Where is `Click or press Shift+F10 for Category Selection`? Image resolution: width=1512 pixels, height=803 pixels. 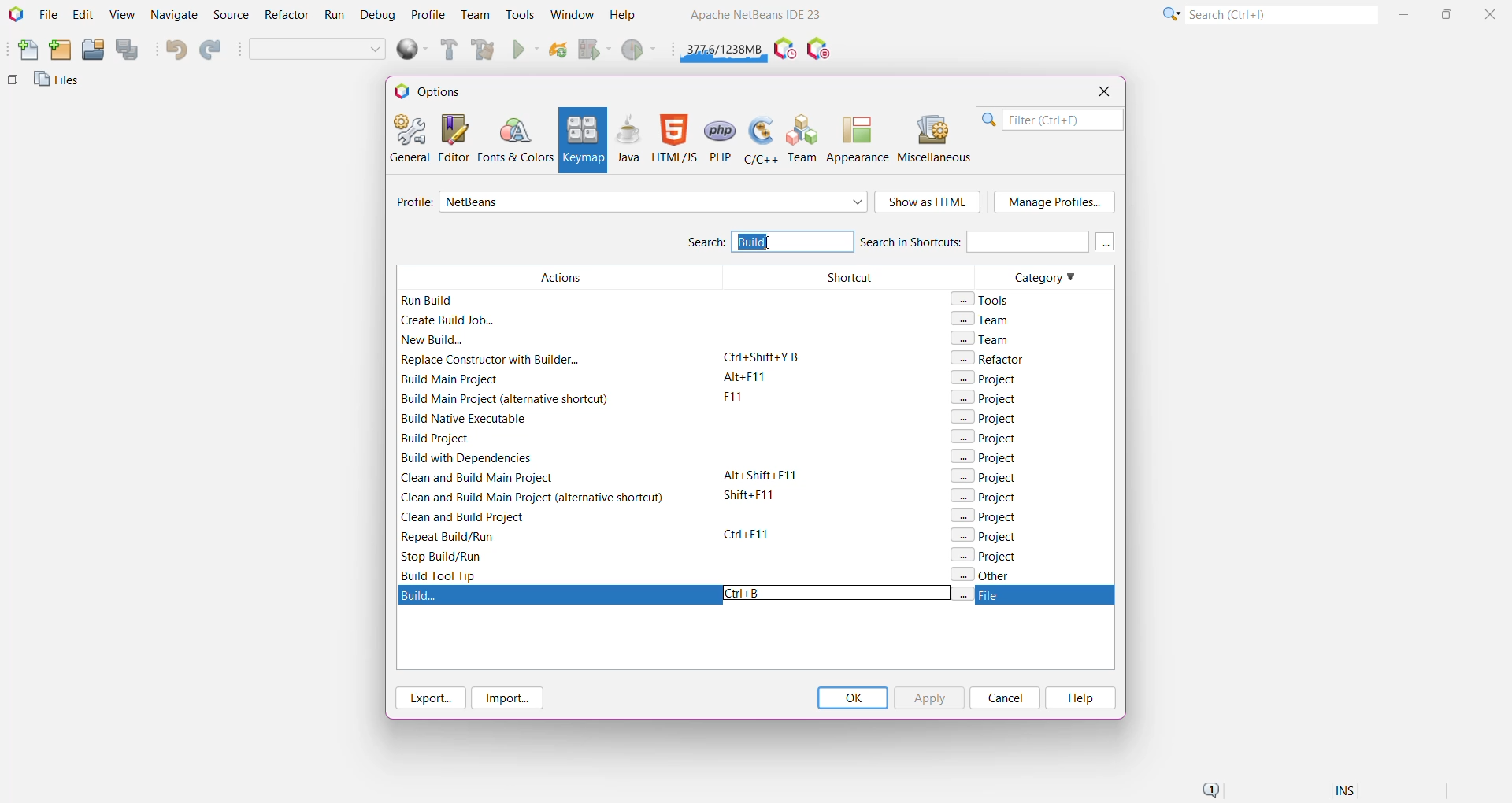 Click or press Shift+F10 for Category Selection is located at coordinates (1169, 13).